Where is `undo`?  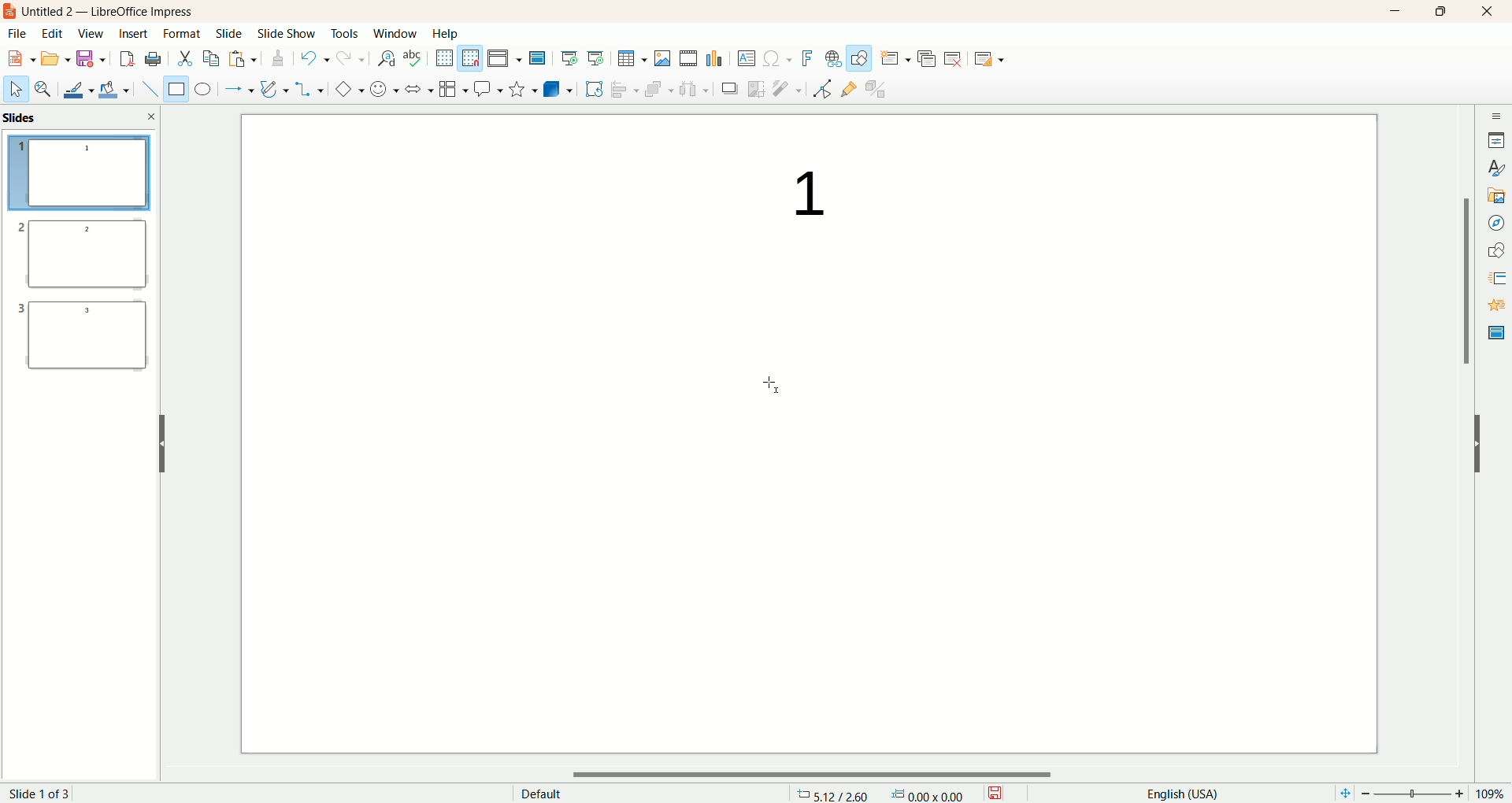
undo is located at coordinates (313, 60).